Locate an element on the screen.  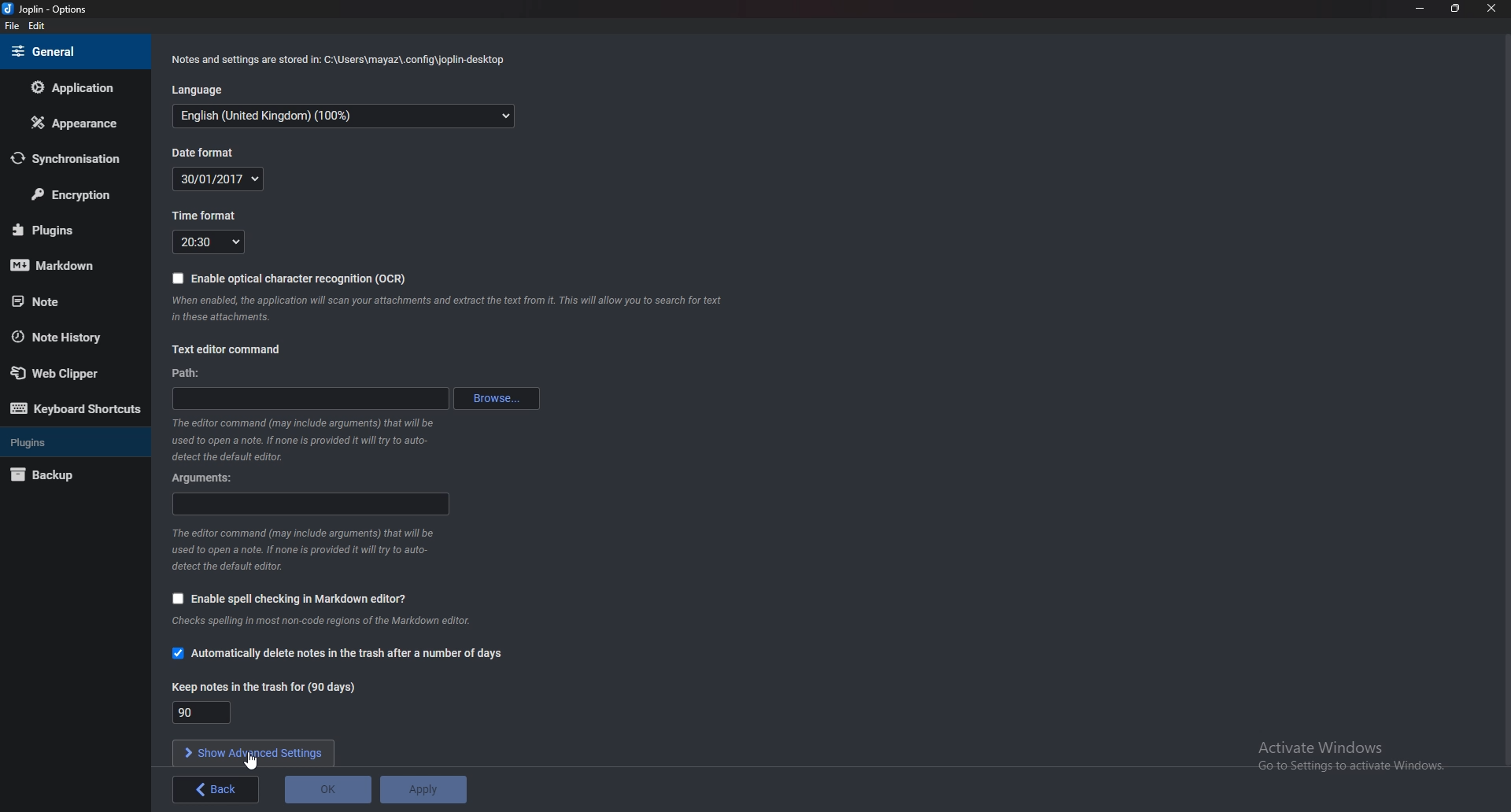
Automatically delete notes is located at coordinates (339, 654).